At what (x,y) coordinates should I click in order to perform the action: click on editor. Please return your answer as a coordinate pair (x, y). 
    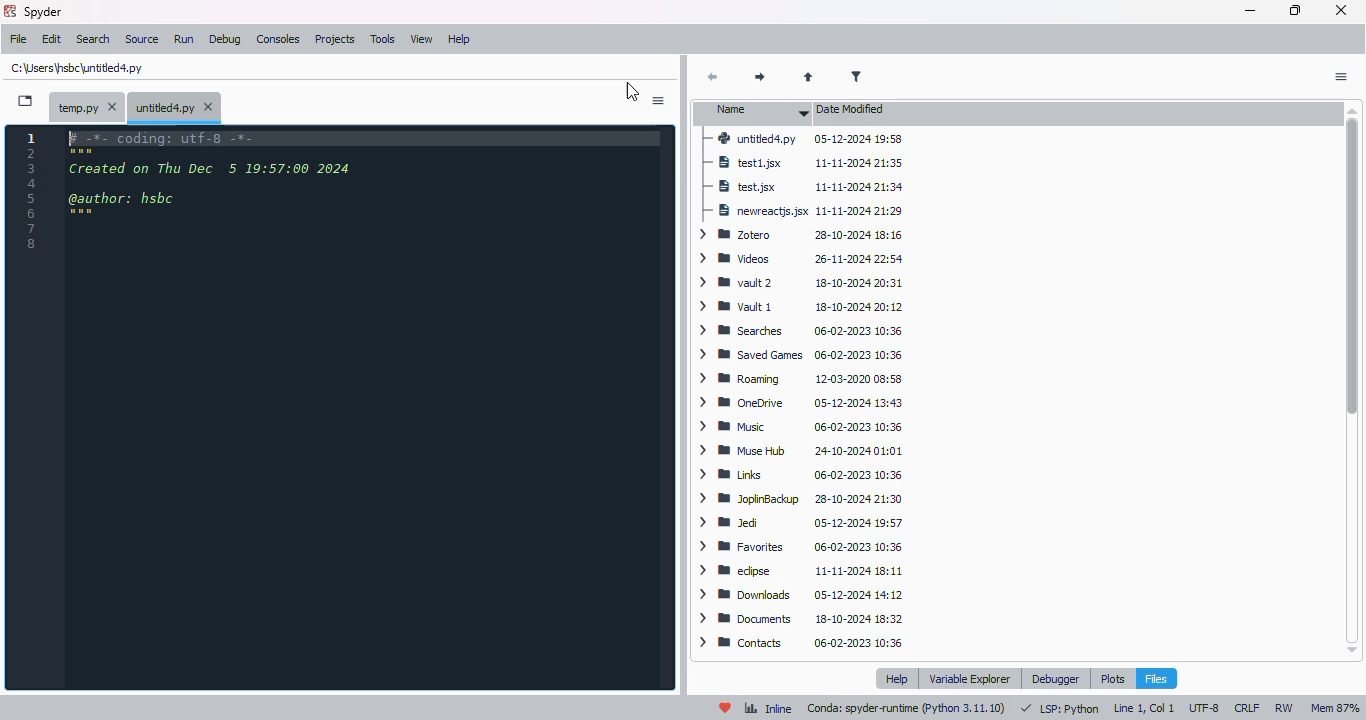
    Looking at the image, I should click on (364, 407).